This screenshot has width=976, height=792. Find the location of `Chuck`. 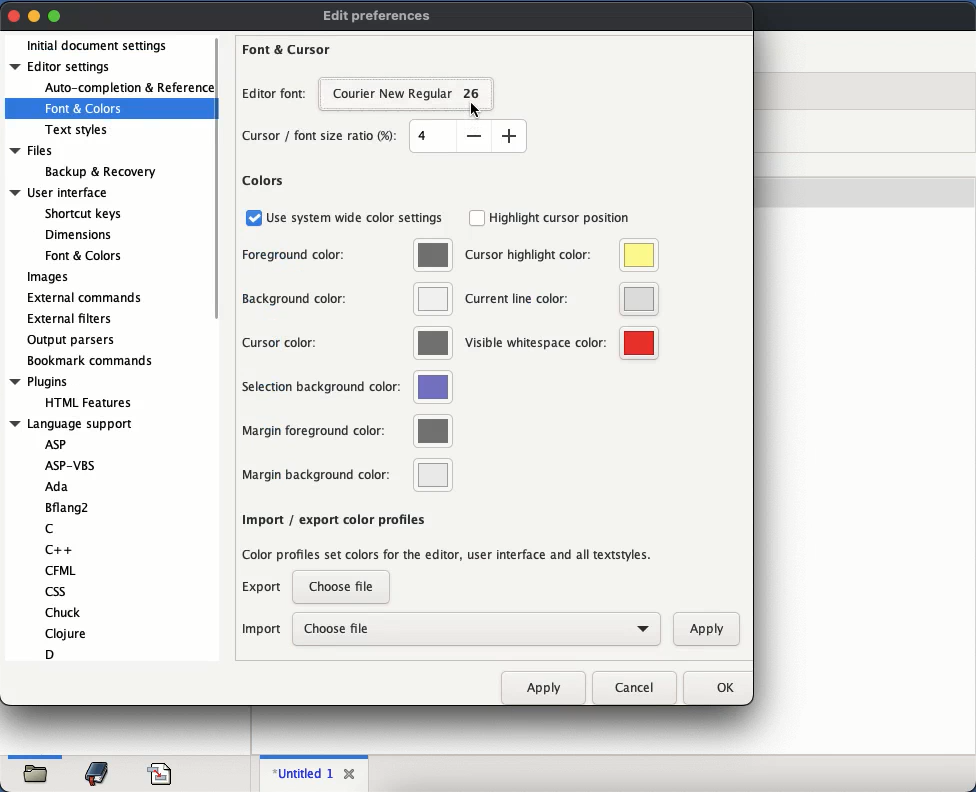

Chuck is located at coordinates (65, 612).